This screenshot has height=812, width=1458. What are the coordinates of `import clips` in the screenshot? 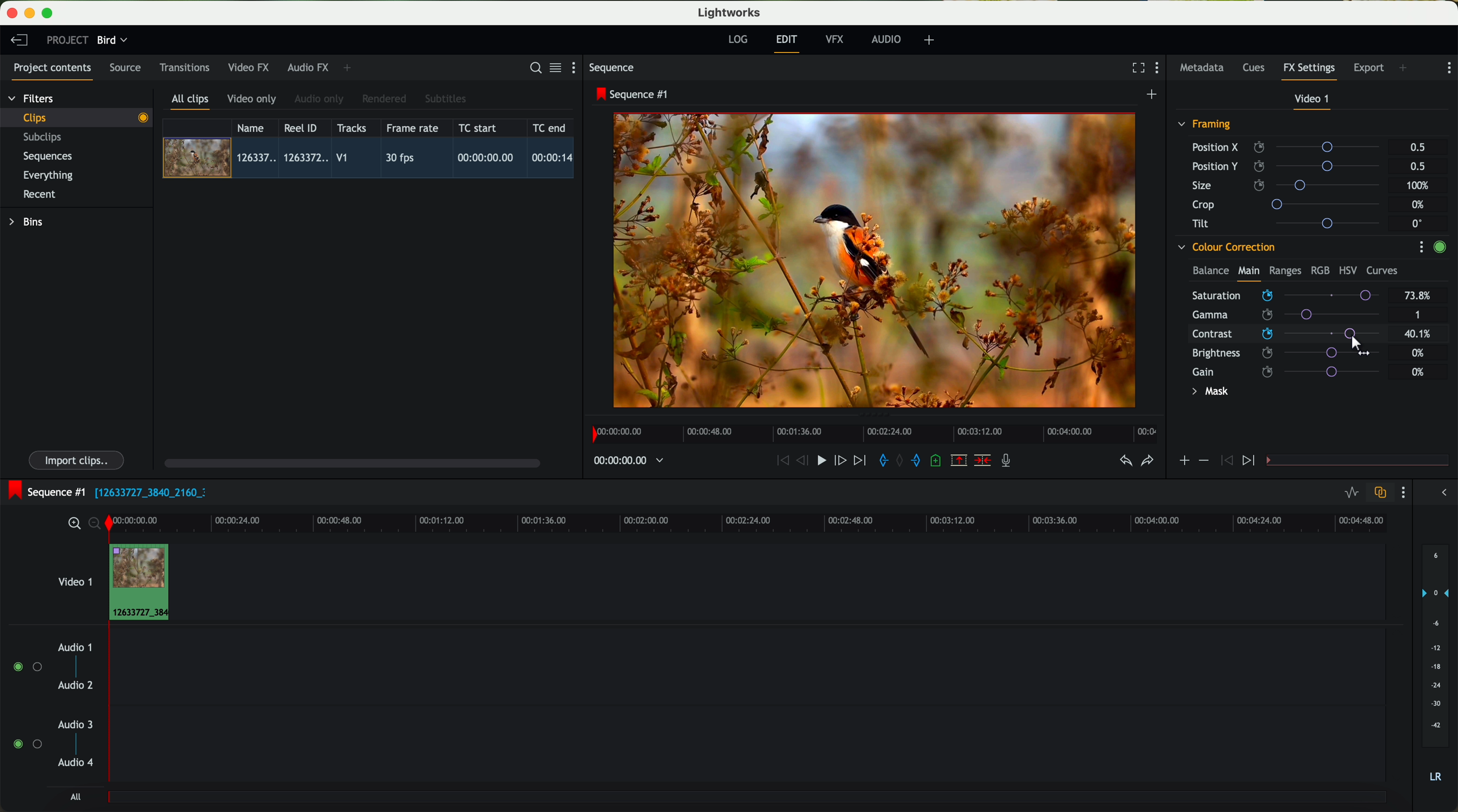 It's located at (78, 459).